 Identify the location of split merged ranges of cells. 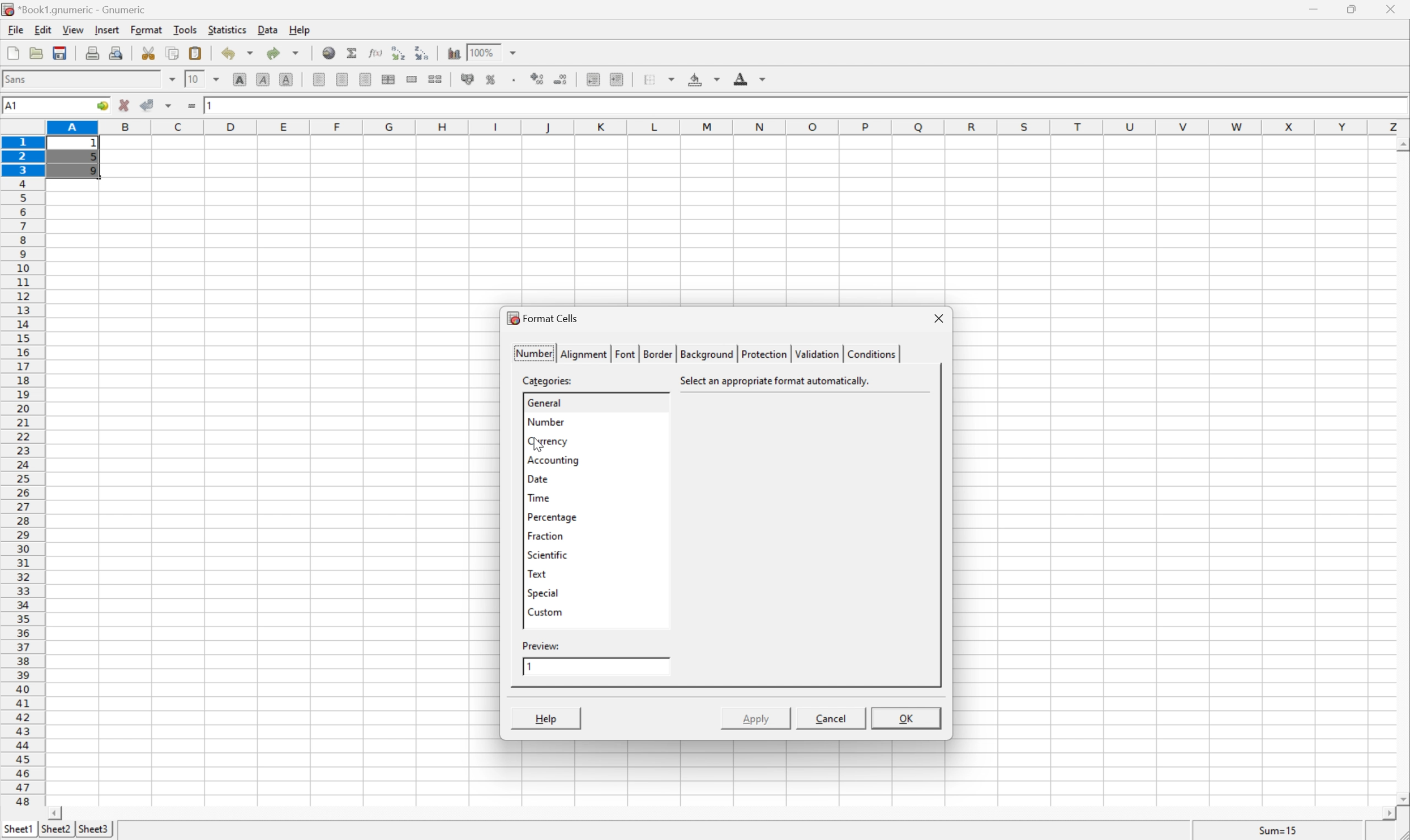
(437, 78).